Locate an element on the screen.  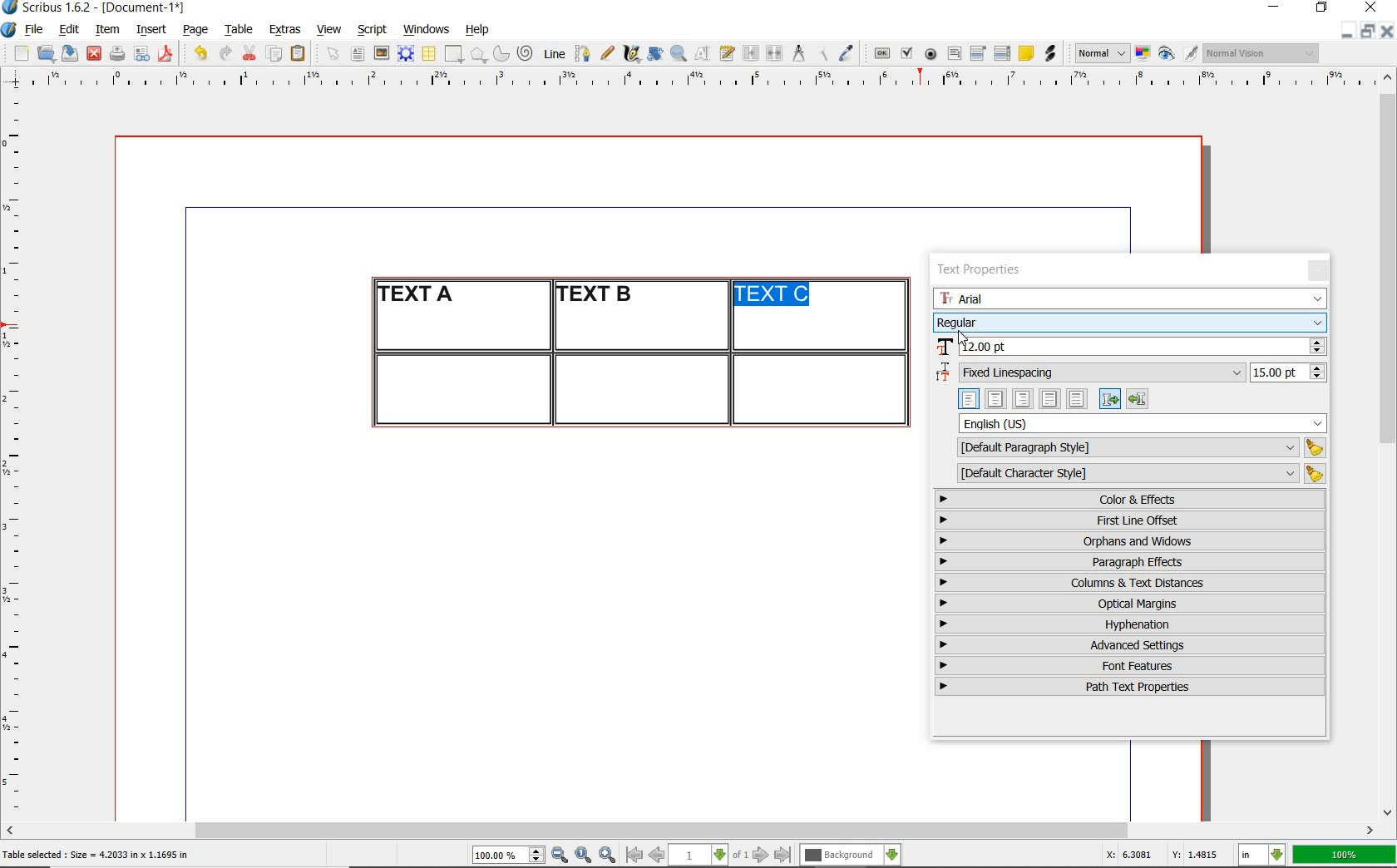
insert is located at coordinates (151, 30).